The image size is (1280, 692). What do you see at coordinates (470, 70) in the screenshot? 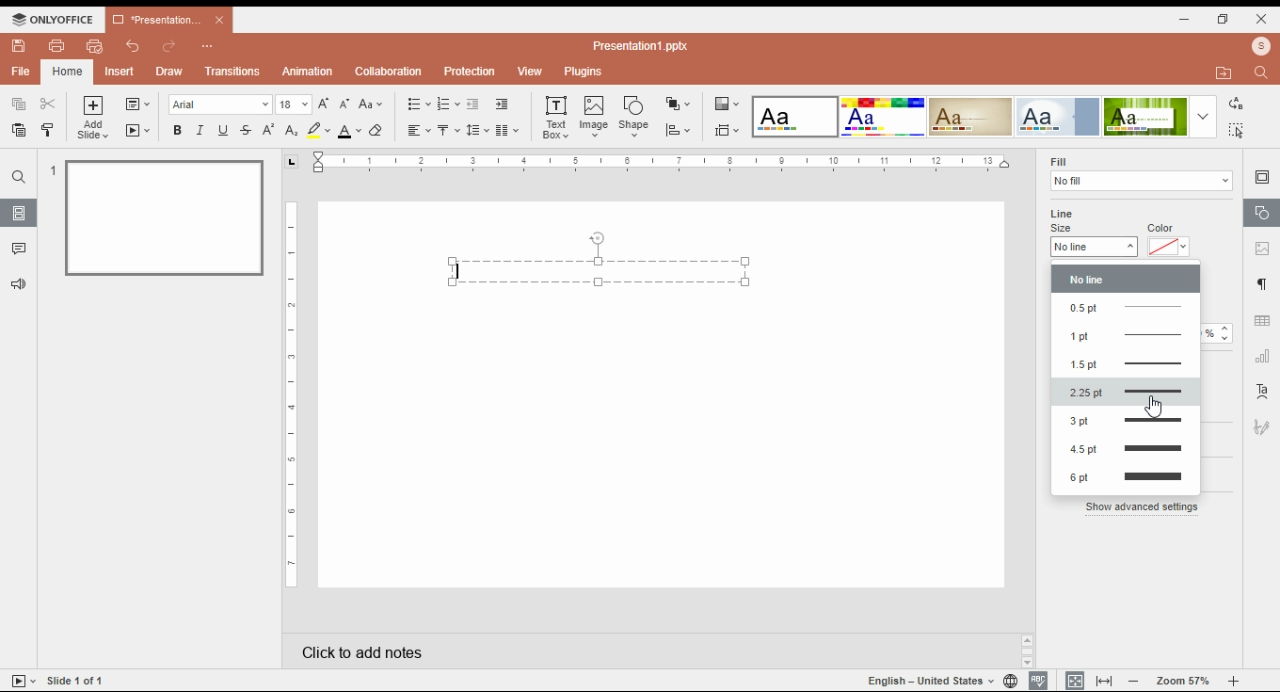
I see `protection` at bounding box center [470, 70].